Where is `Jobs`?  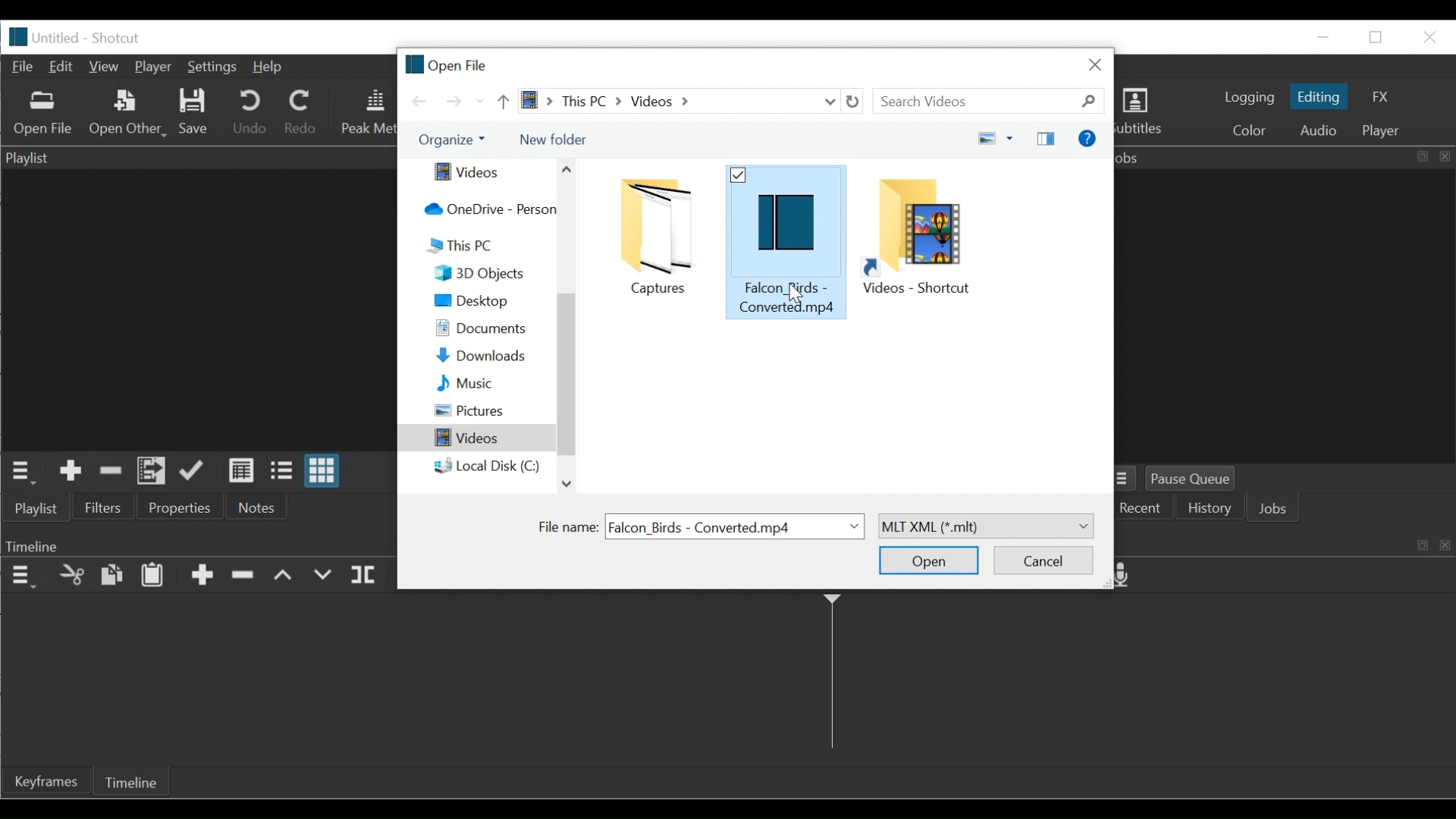 Jobs is located at coordinates (1277, 510).